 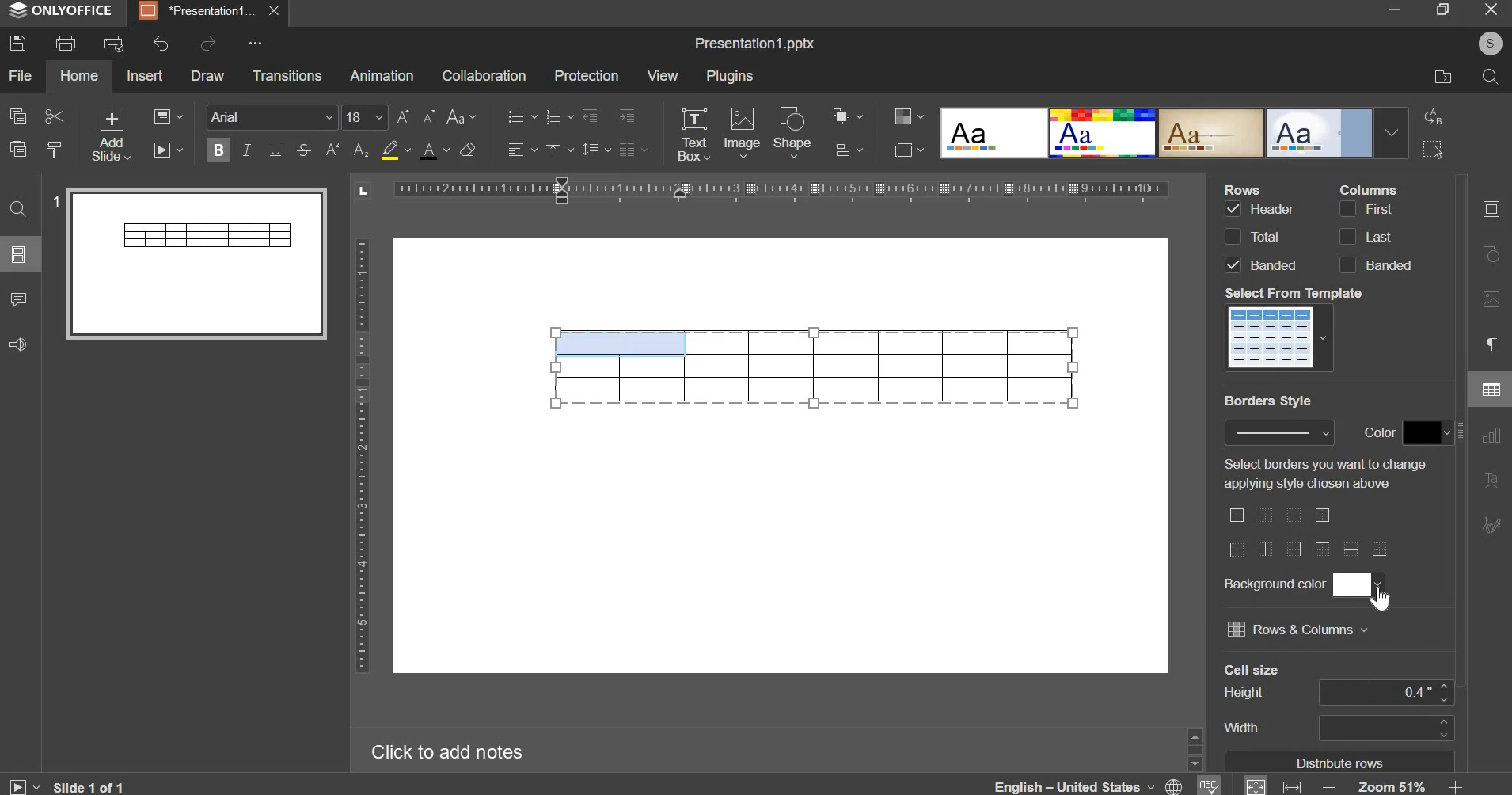 What do you see at coordinates (1491, 371) in the screenshot?
I see `right side menu` at bounding box center [1491, 371].